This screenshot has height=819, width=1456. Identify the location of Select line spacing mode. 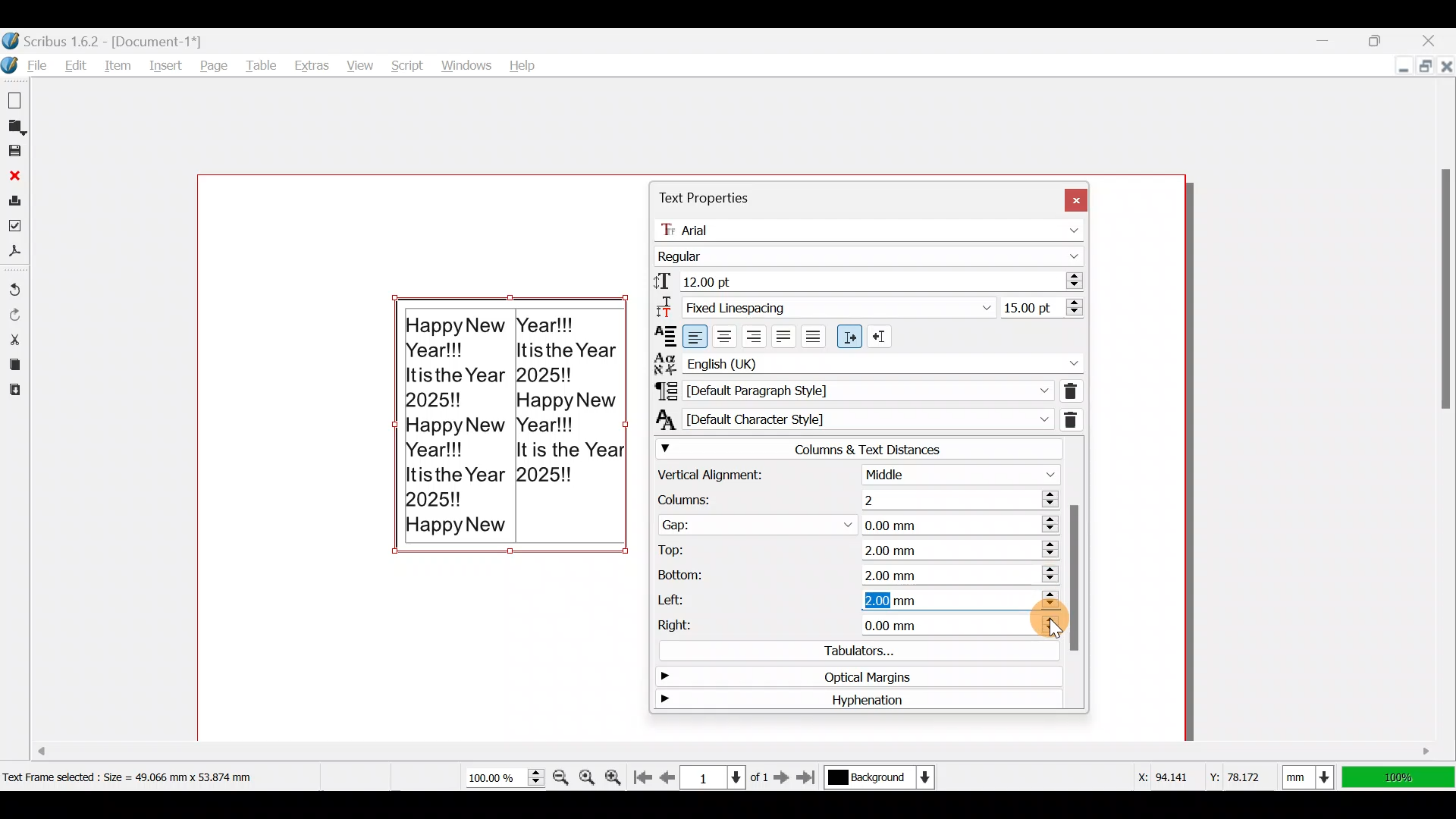
(824, 306).